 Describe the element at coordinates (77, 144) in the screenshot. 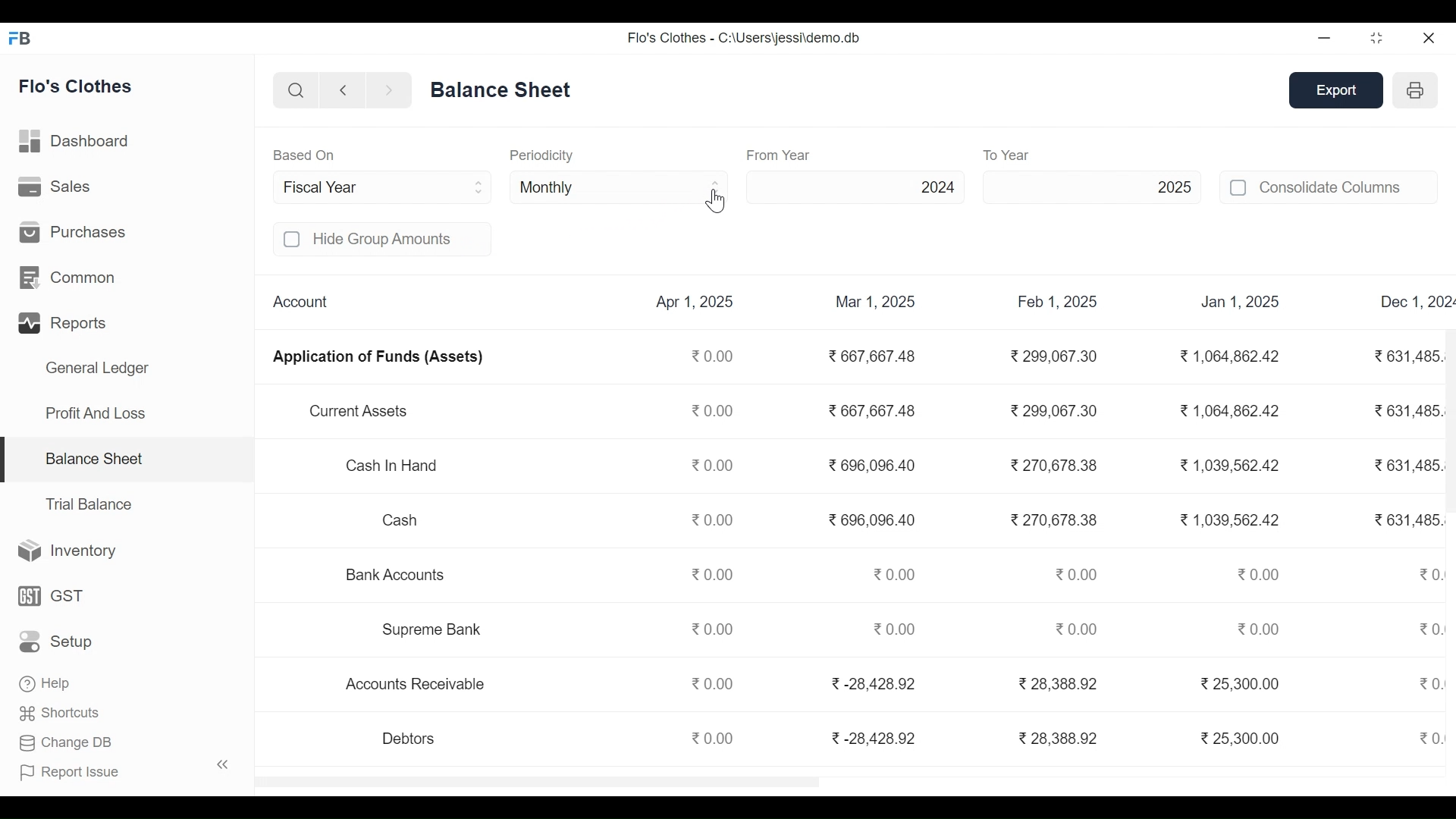

I see `dashboard` at that location.